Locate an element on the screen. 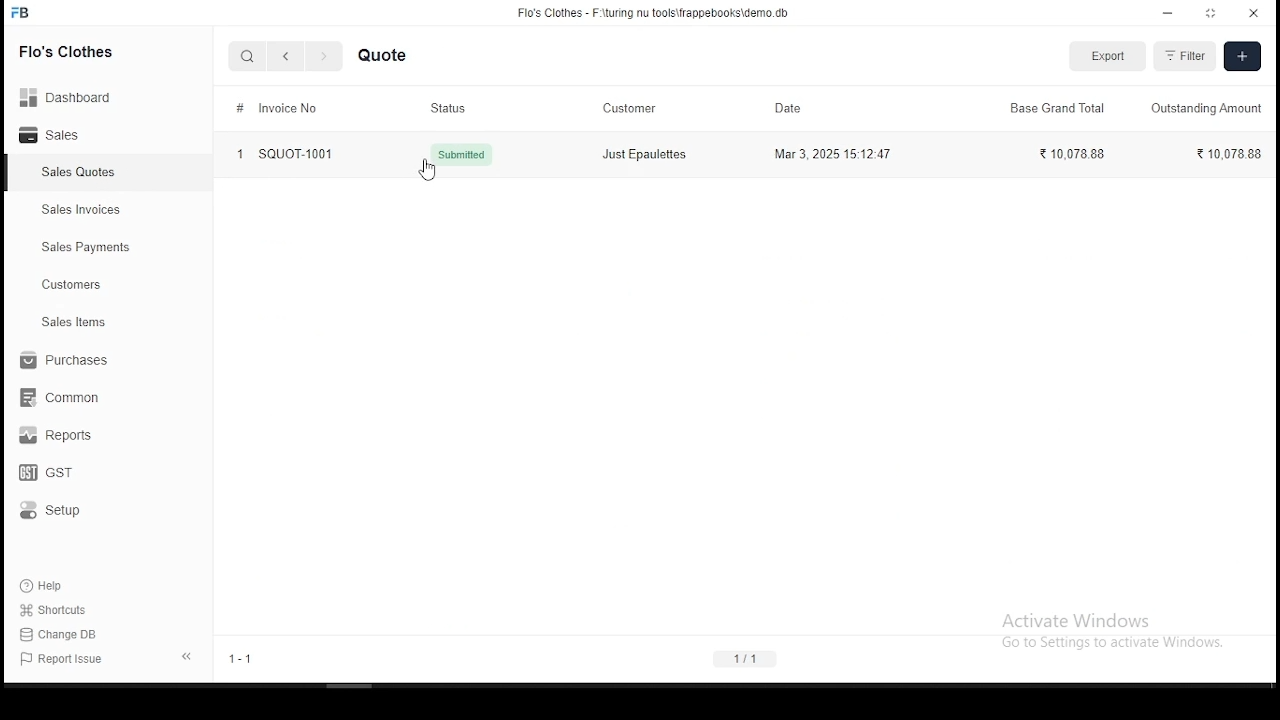  status is located at coordinates (454, 111).